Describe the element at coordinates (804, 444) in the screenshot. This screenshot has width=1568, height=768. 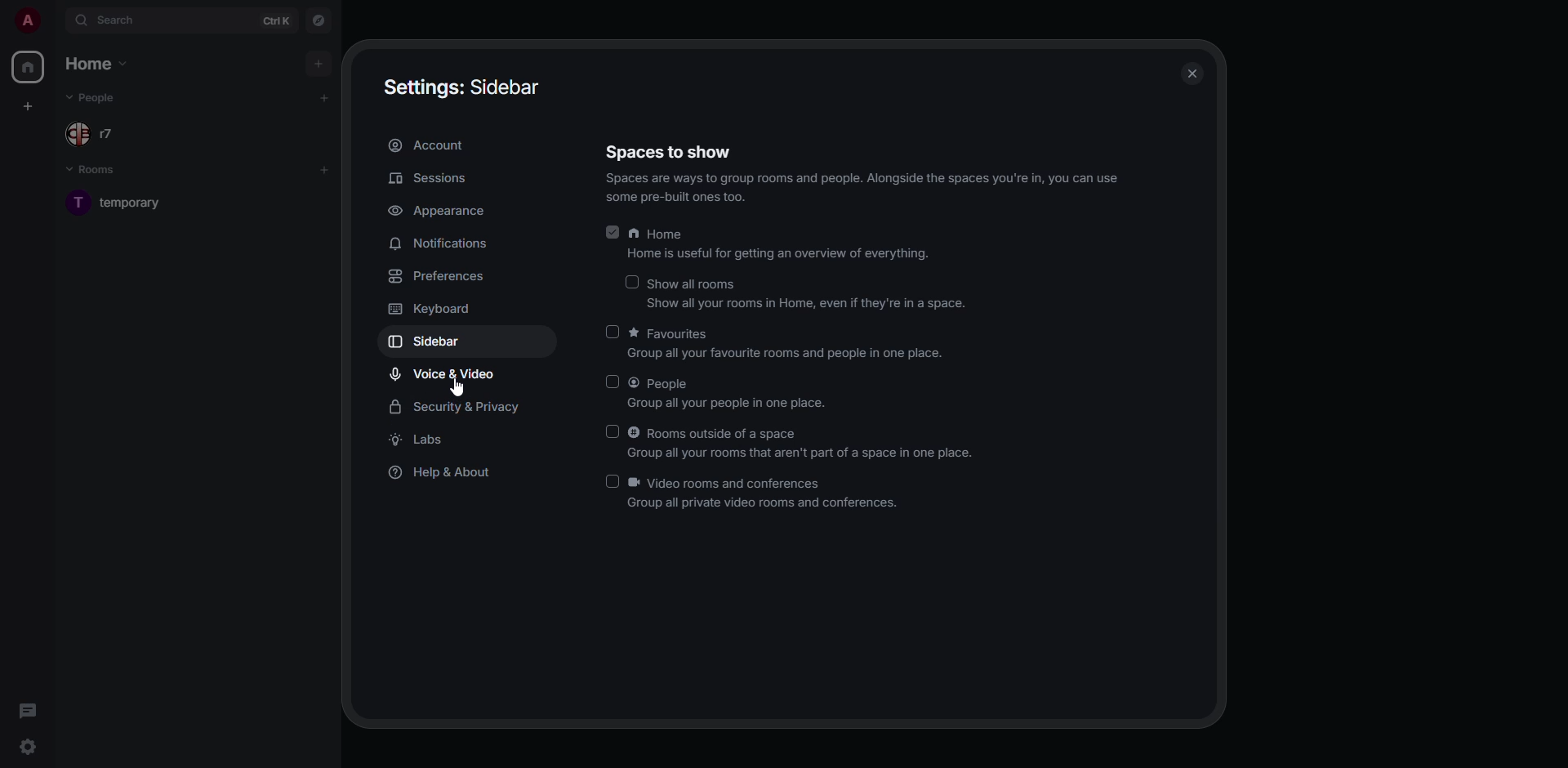
I see `rooms outside of a space` at that location.